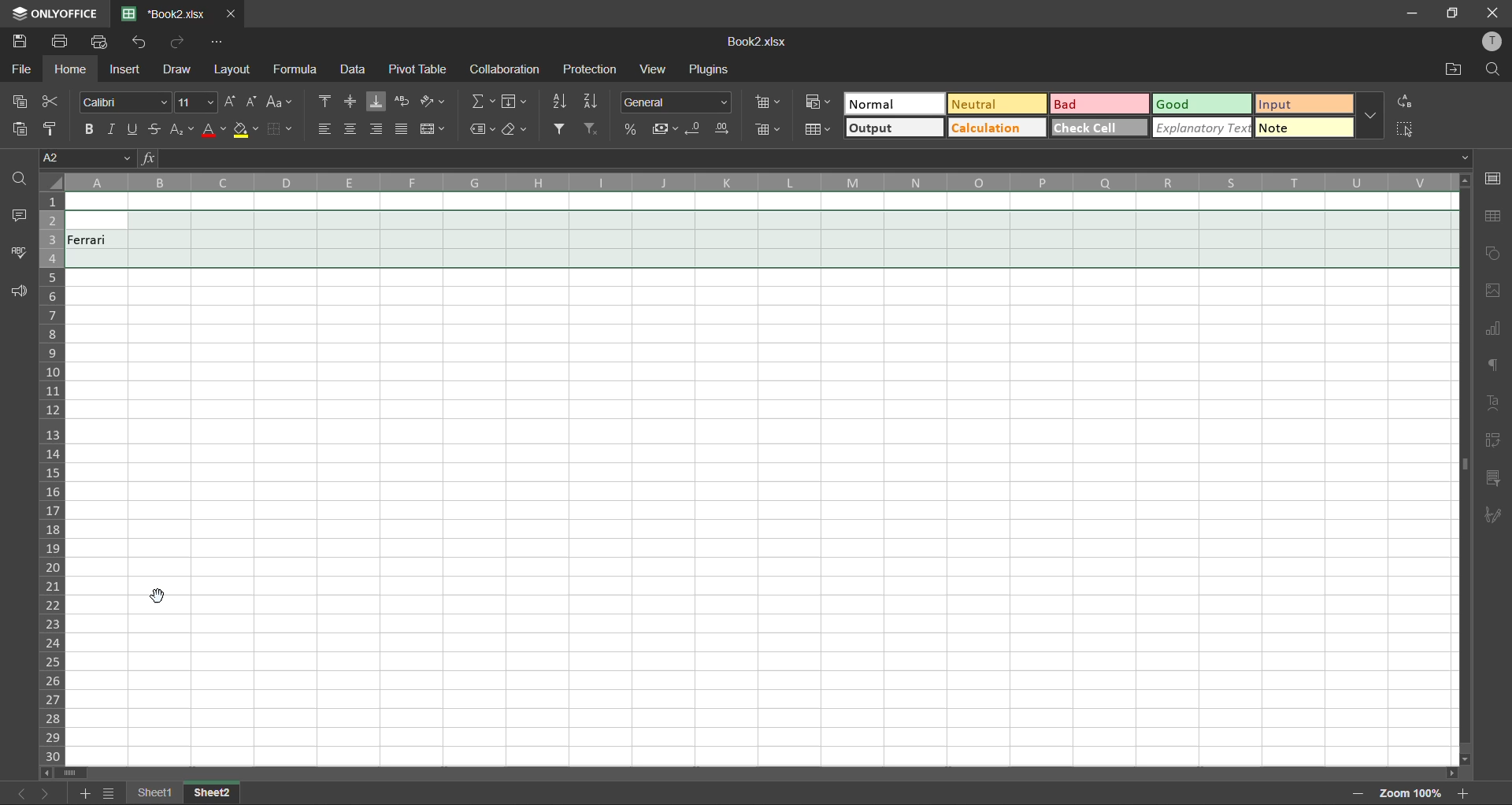 The height and width of the screenshot is (805, 1512). What do you see at coordinates (769, 101) in the screenshot?
I see `insert cells` at bounding box center [769, 101].